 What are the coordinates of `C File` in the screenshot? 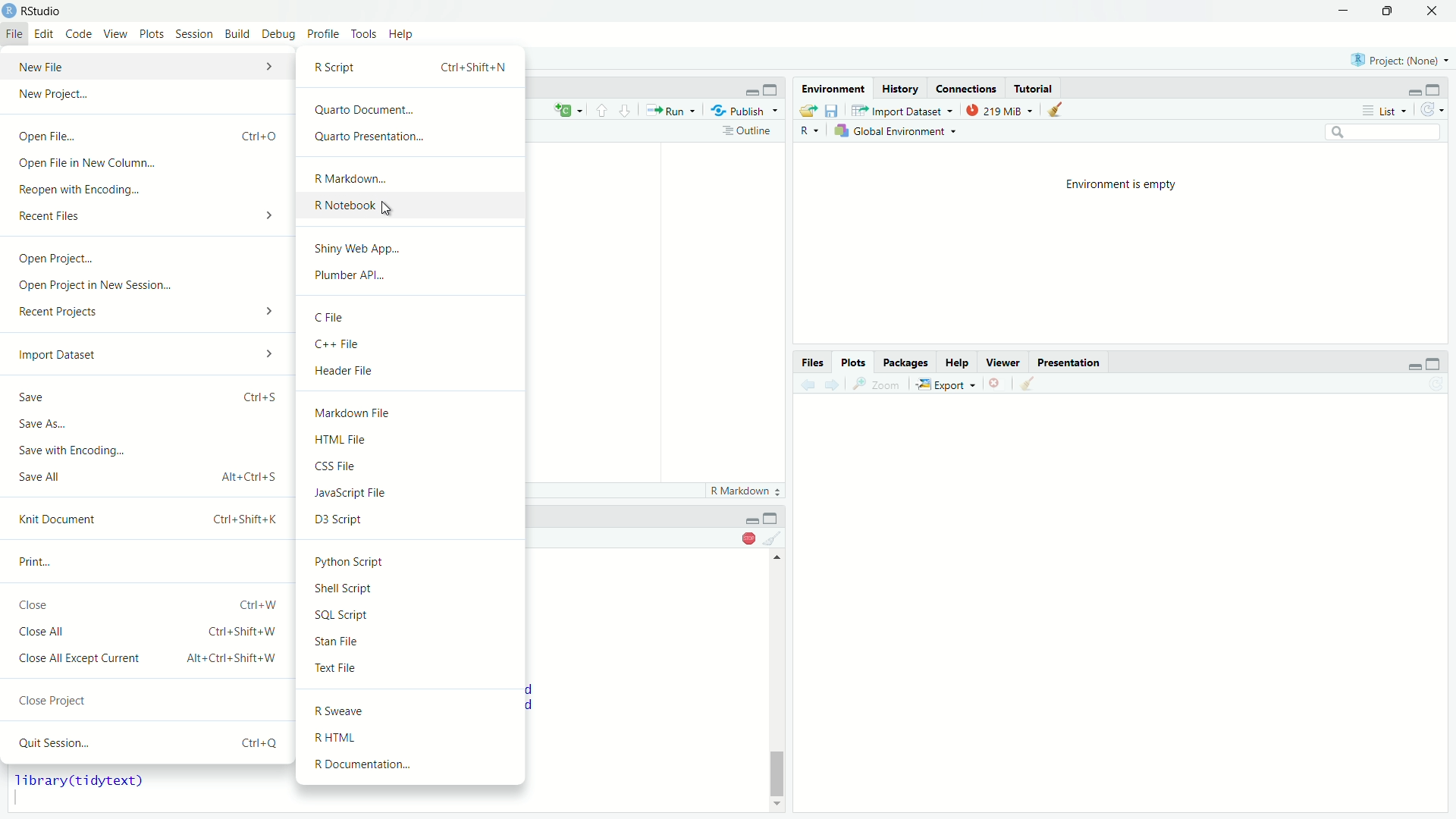 It's located at (413, 316).